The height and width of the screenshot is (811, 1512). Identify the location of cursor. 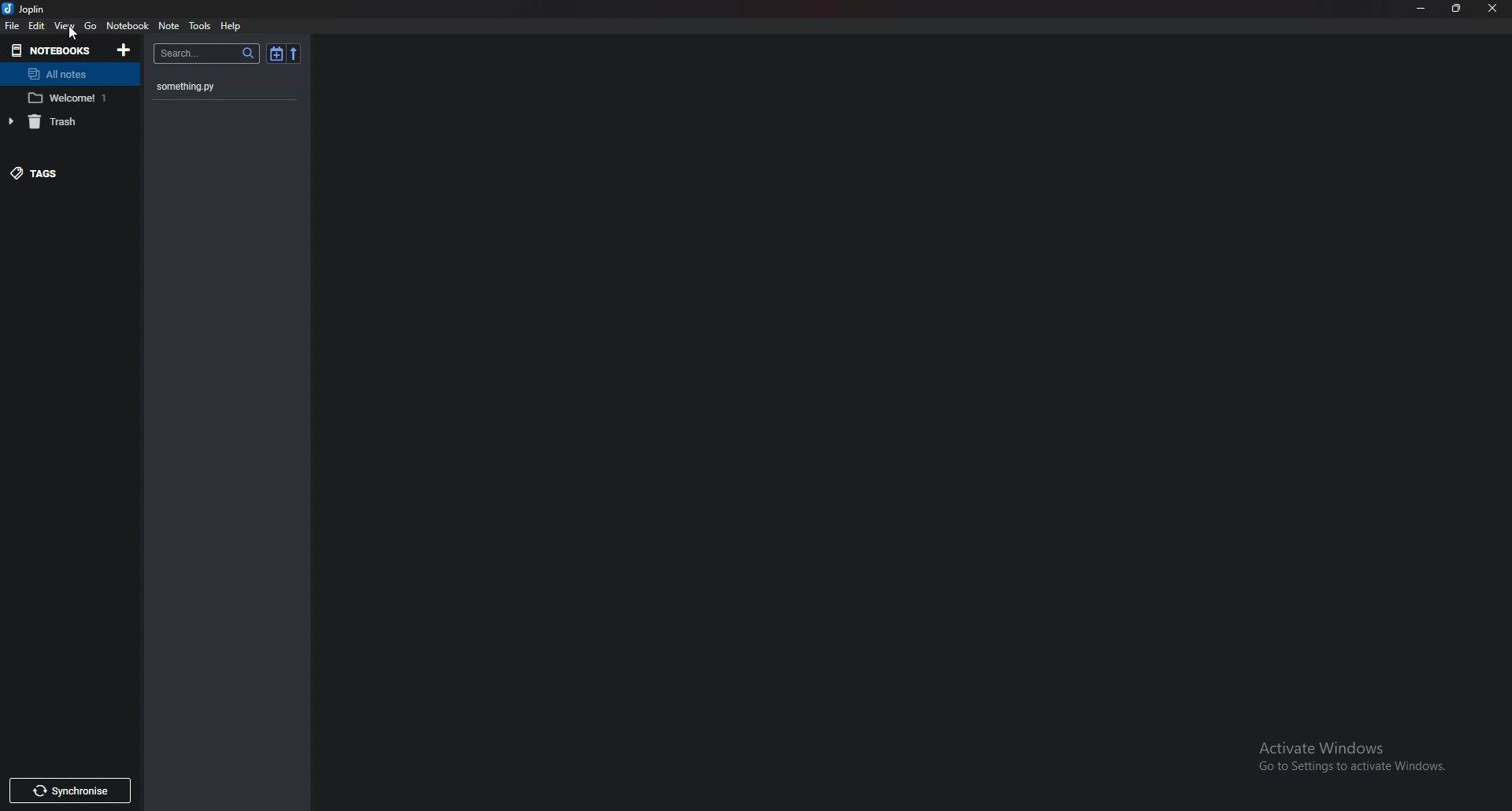
(76, 35).